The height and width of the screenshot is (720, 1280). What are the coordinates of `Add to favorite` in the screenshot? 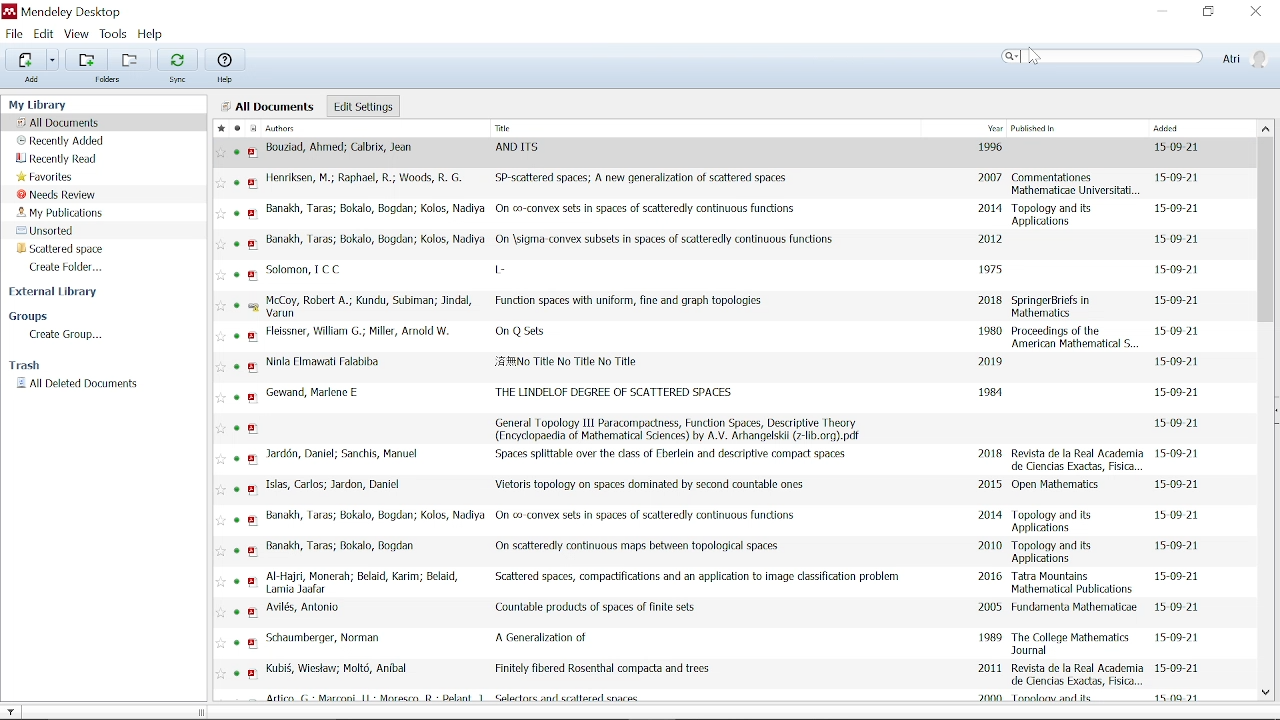 It's located at (222, 214).